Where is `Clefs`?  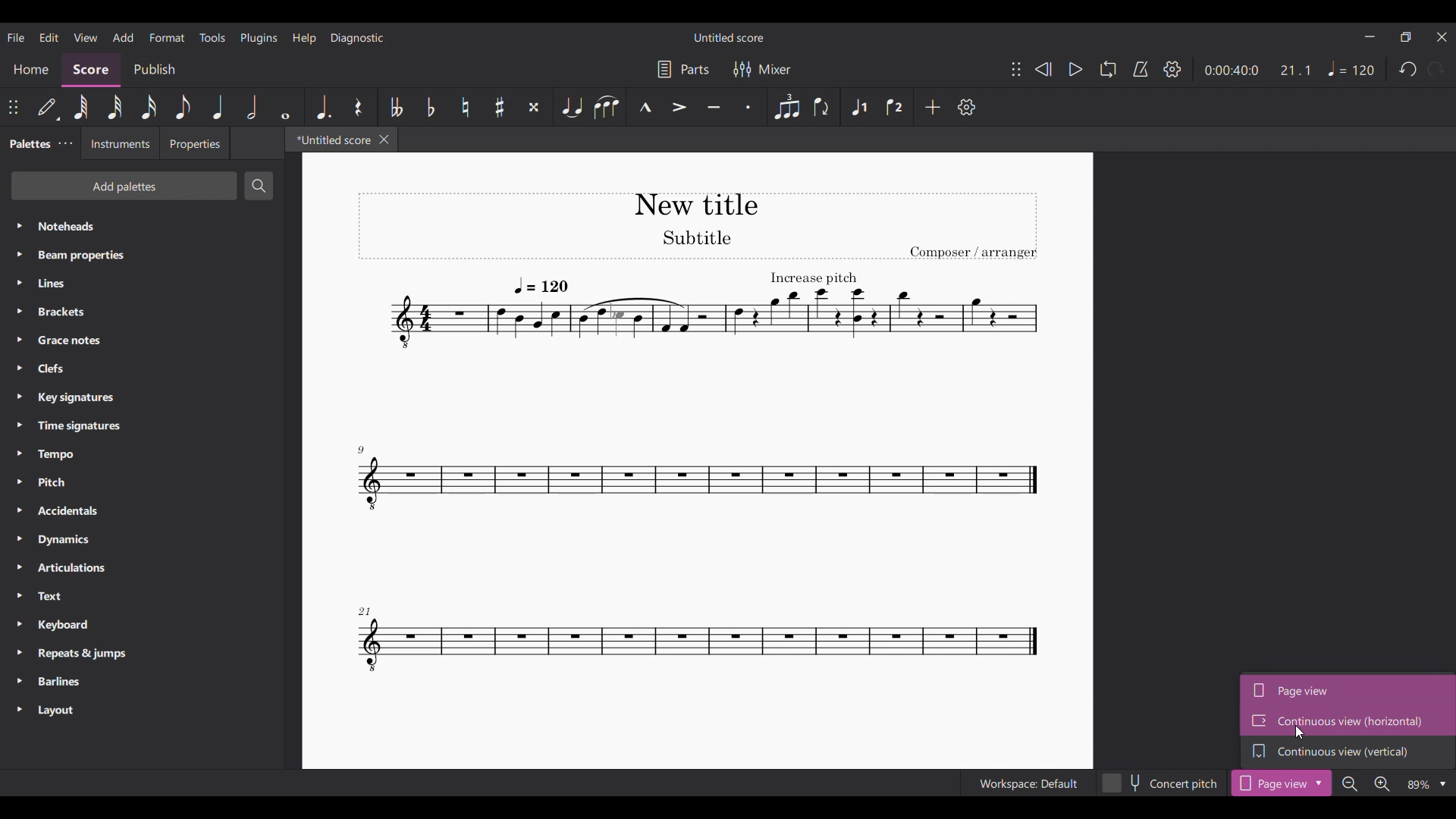
Clefs is located at coordinates (142, 369).